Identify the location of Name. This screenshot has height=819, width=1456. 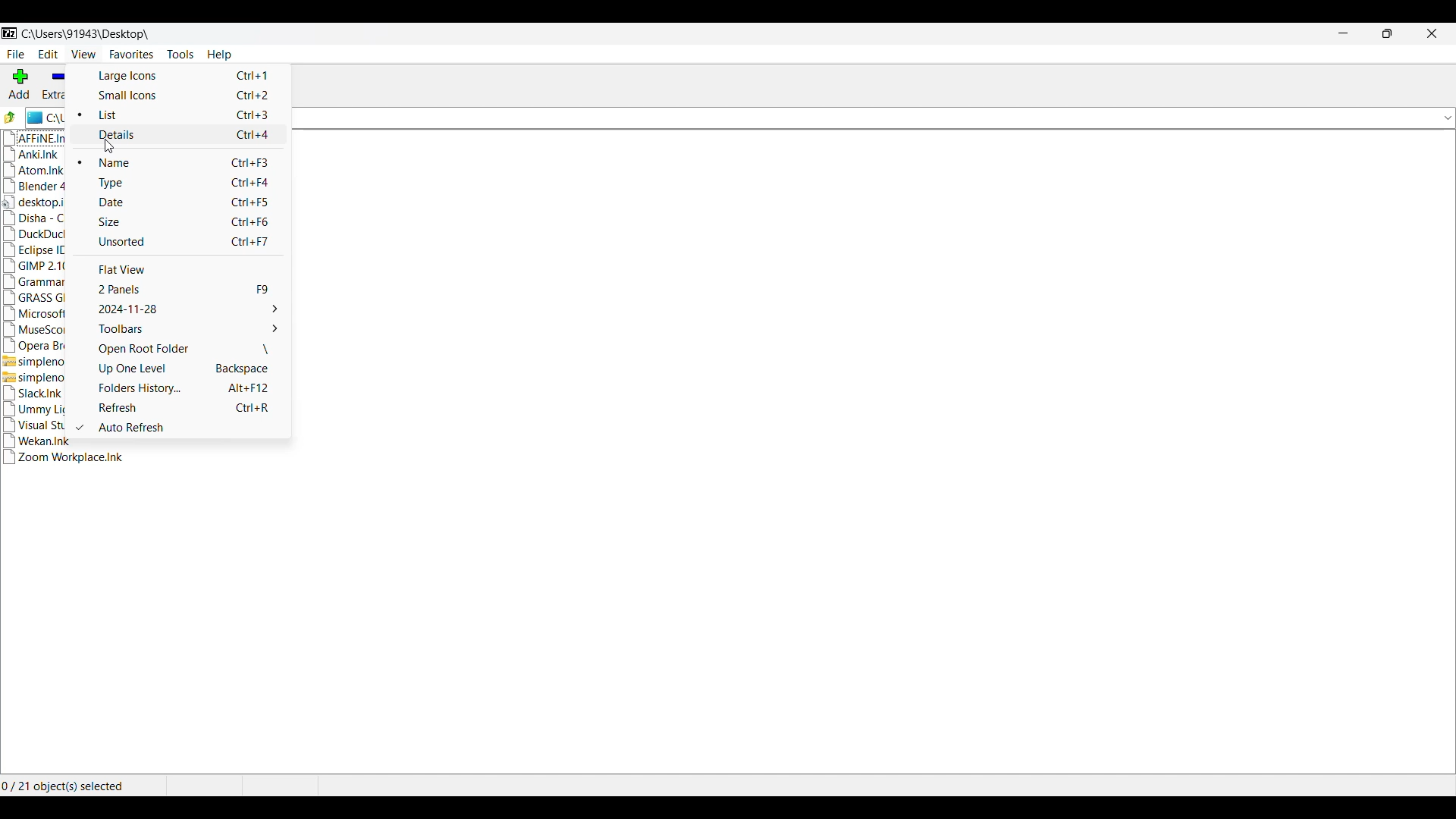
(190, 162).